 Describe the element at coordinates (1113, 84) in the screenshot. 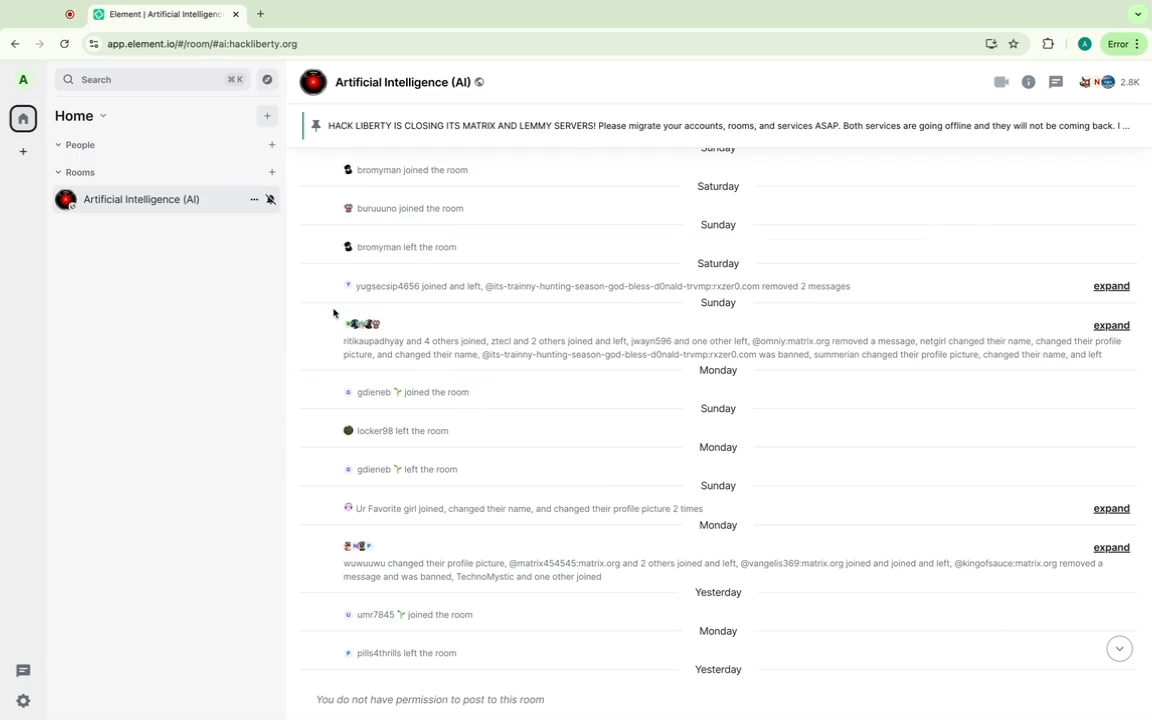

I see `People` at that location.